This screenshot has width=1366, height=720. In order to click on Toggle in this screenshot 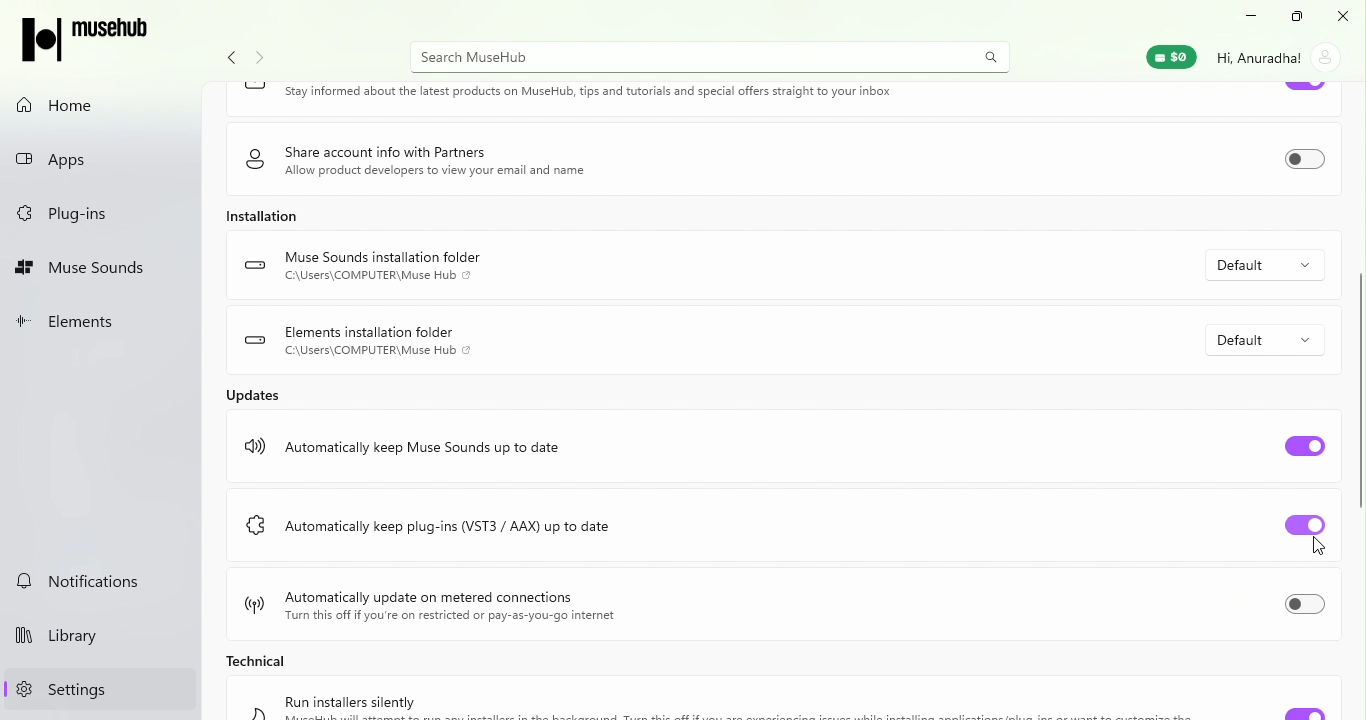, I will do `click(1303, 89)`.